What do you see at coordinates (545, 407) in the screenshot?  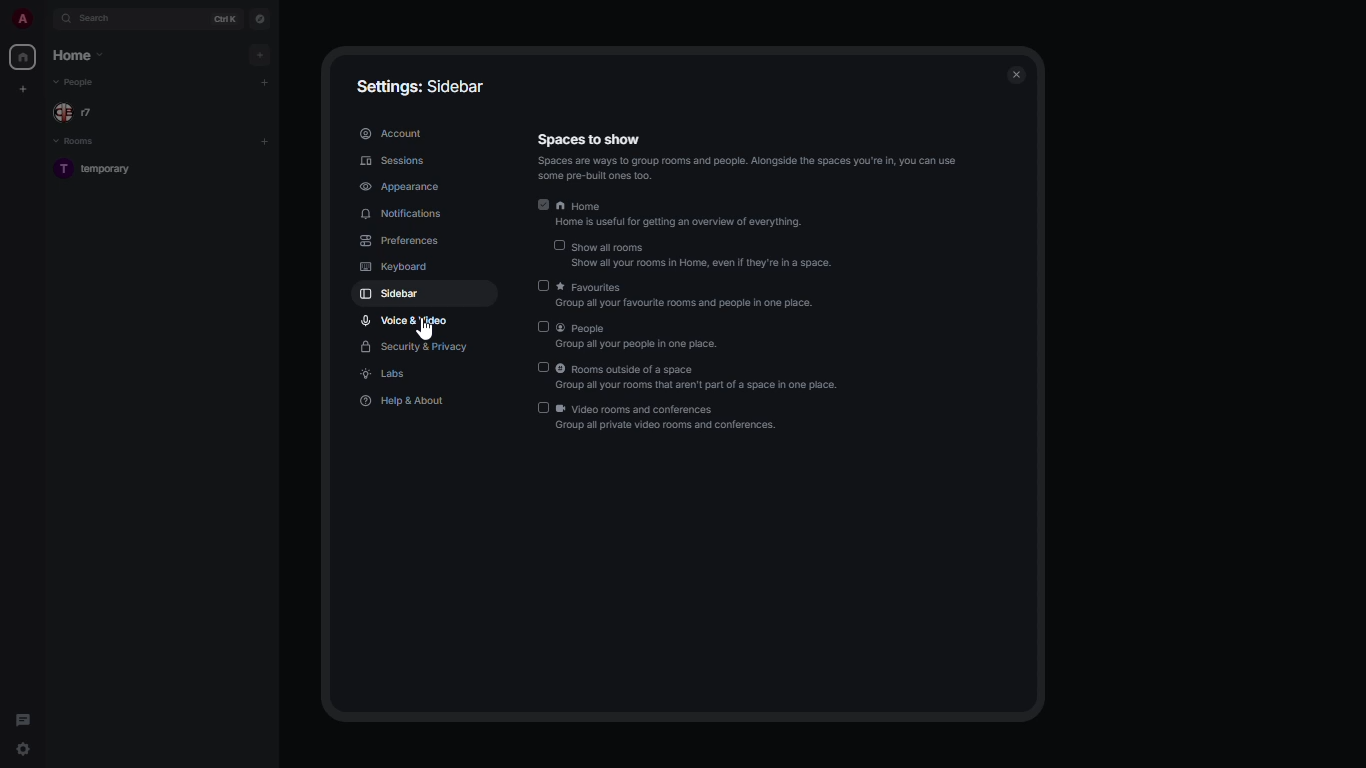 I see `` at bounding box center [545, 407].